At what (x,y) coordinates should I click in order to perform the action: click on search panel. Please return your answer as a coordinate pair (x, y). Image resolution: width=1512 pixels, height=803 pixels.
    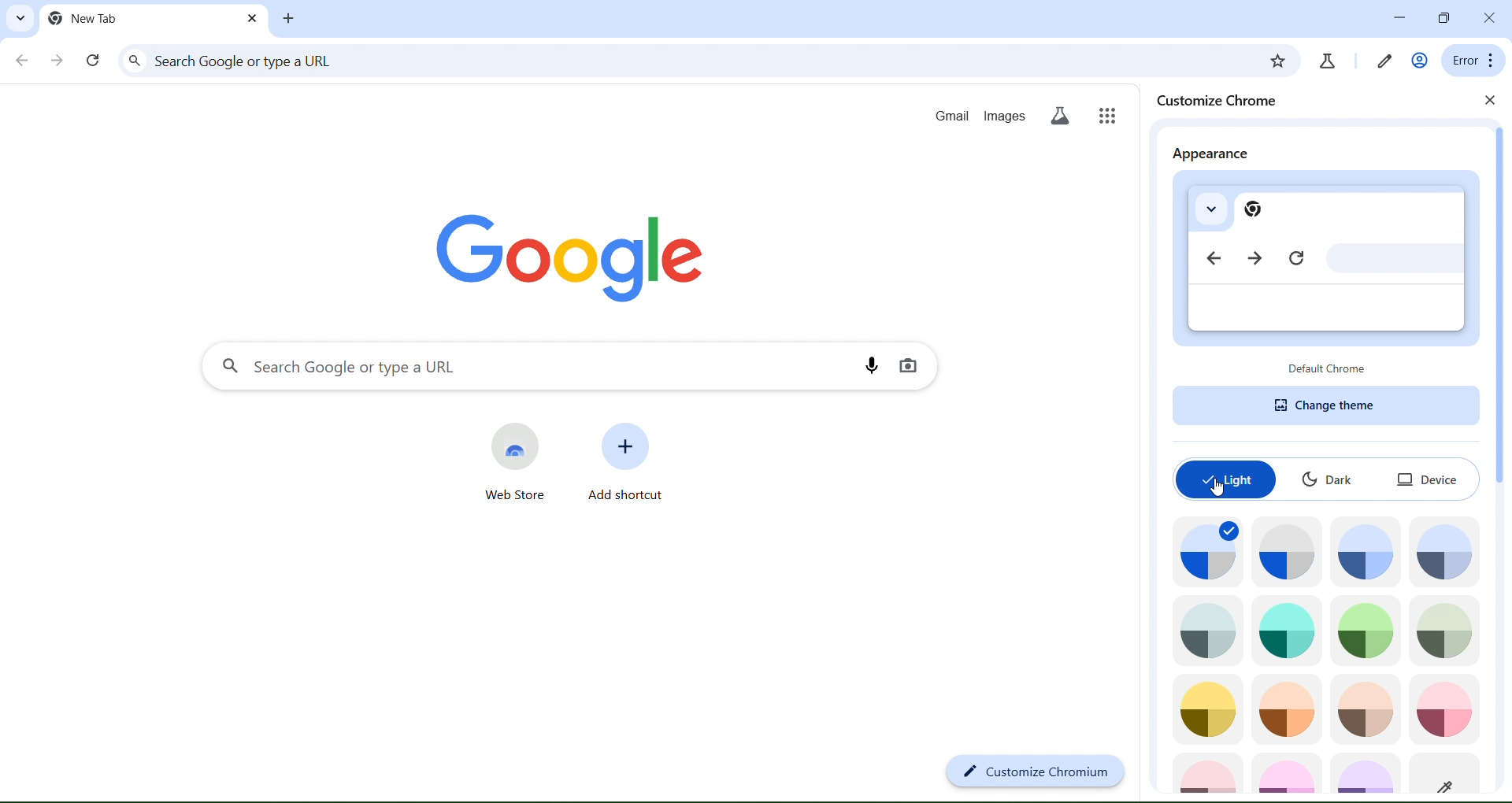
    Looking at the image, I should click on (687, 62).